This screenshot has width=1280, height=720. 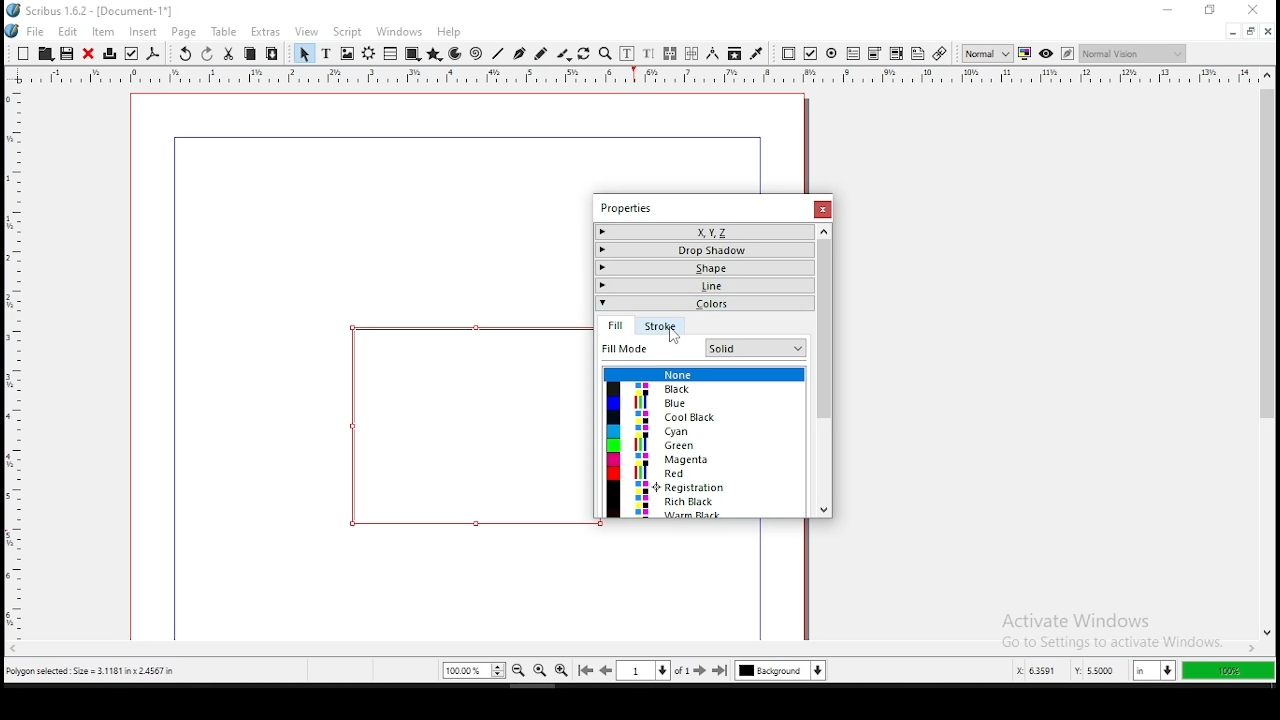 What do you see at coordinates (704, 513) in the screenshot?
I see `warm black` at bounding box center [704, 513].